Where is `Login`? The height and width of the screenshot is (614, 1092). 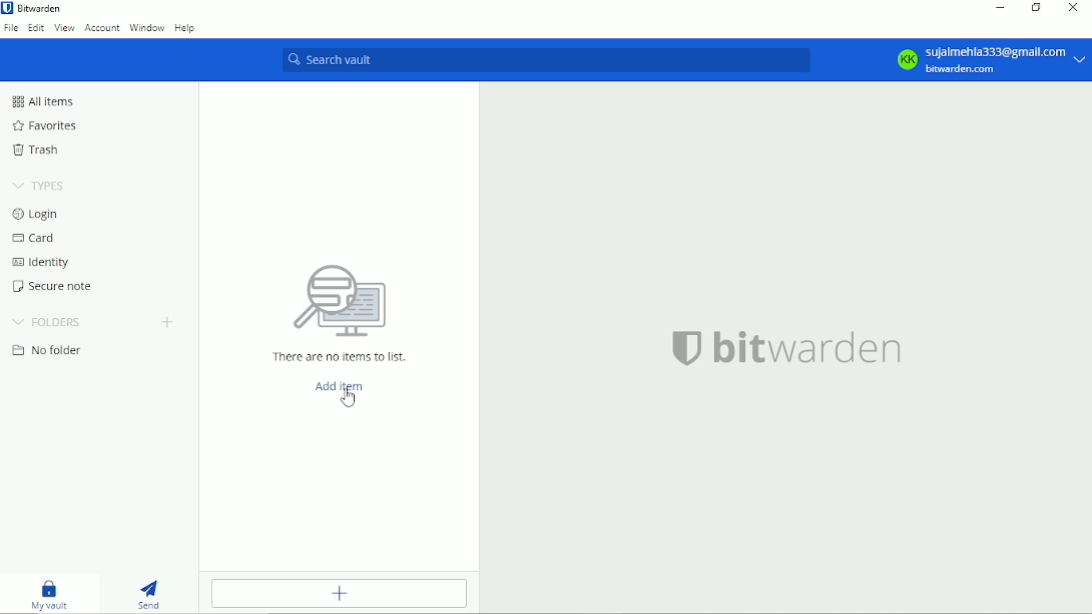
Login is located at coordinates (36, 214).